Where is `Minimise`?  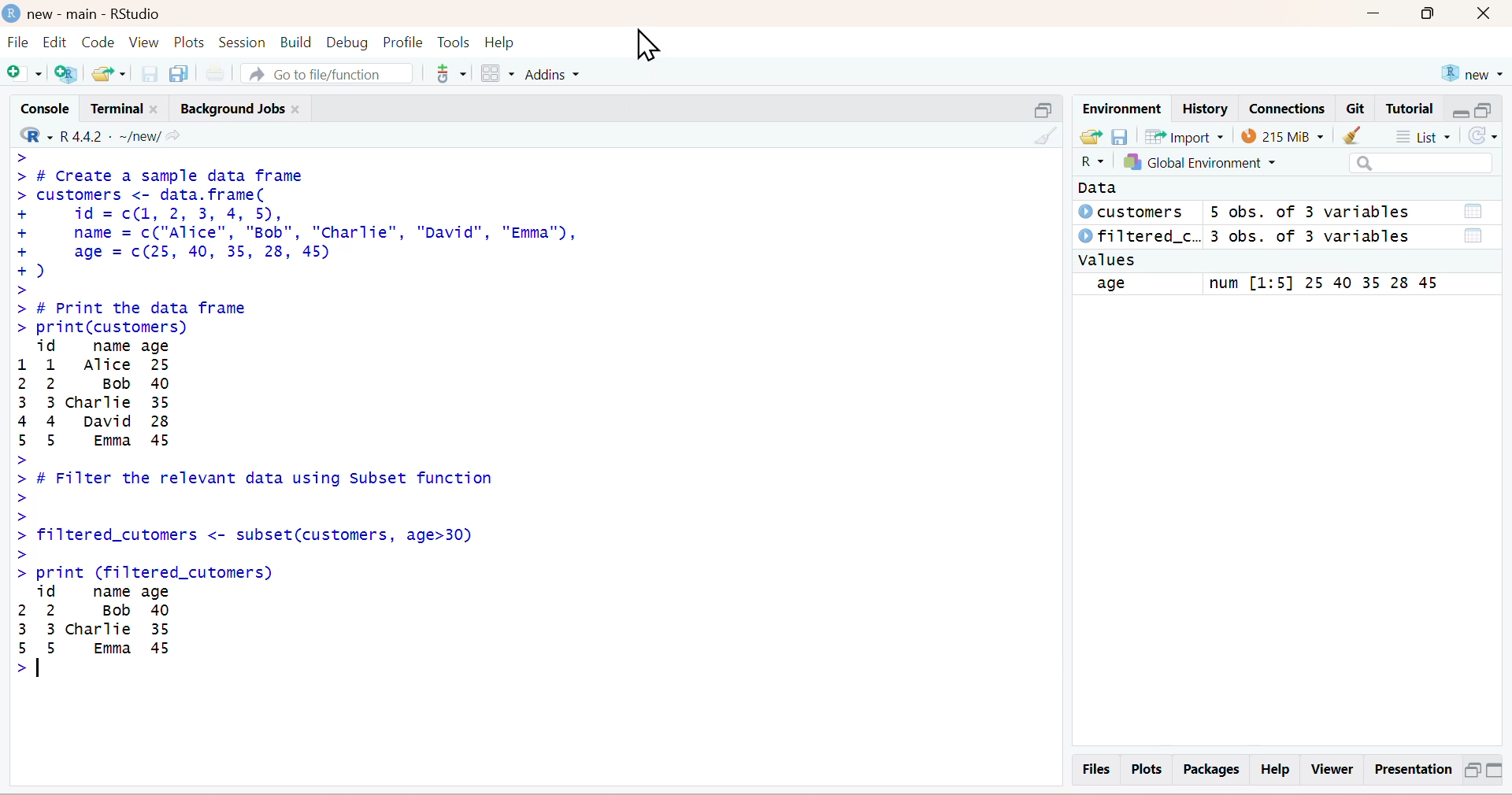
Minimise is located at coordinates (1038, 108).